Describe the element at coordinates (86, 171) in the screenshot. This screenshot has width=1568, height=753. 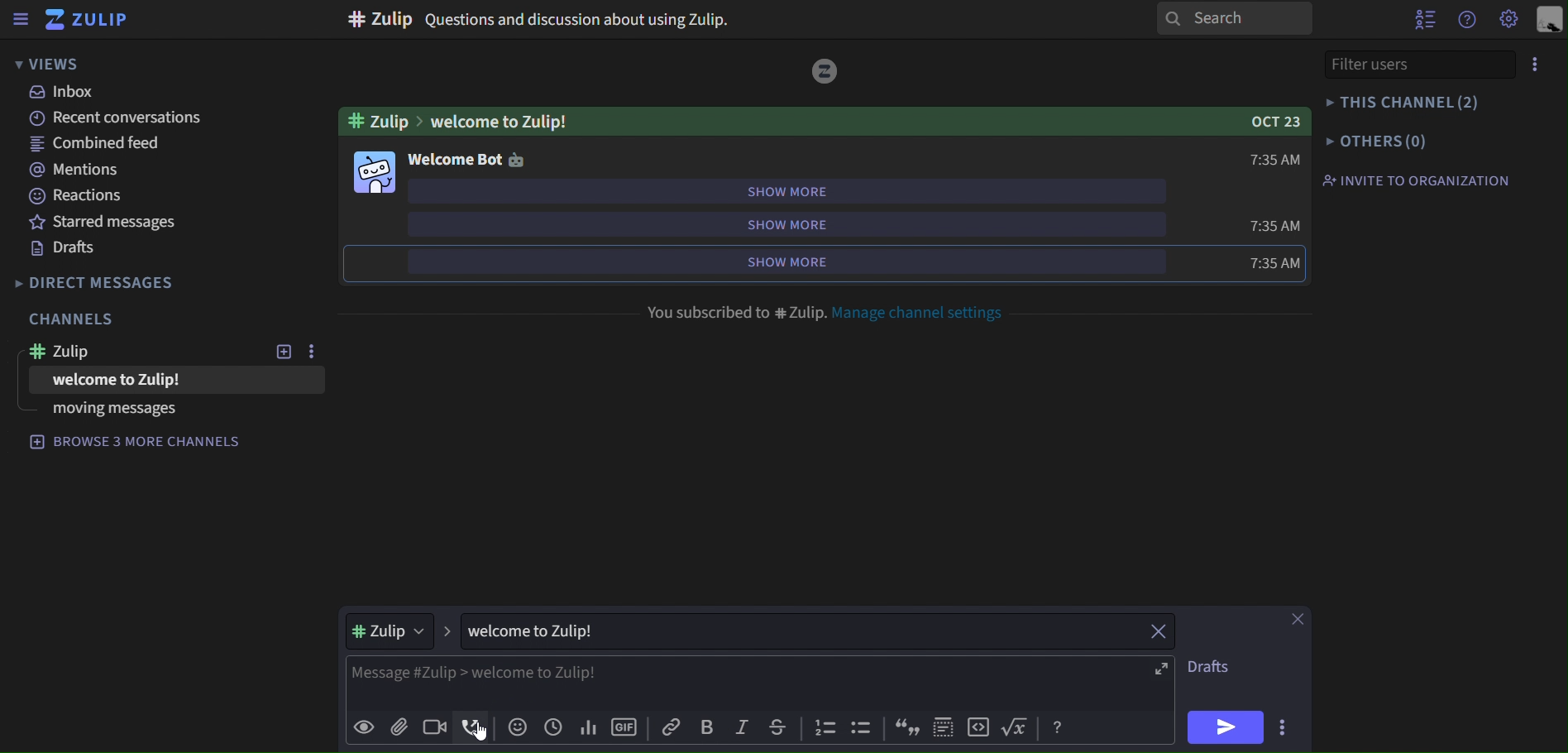
I see `mentions` at that location.